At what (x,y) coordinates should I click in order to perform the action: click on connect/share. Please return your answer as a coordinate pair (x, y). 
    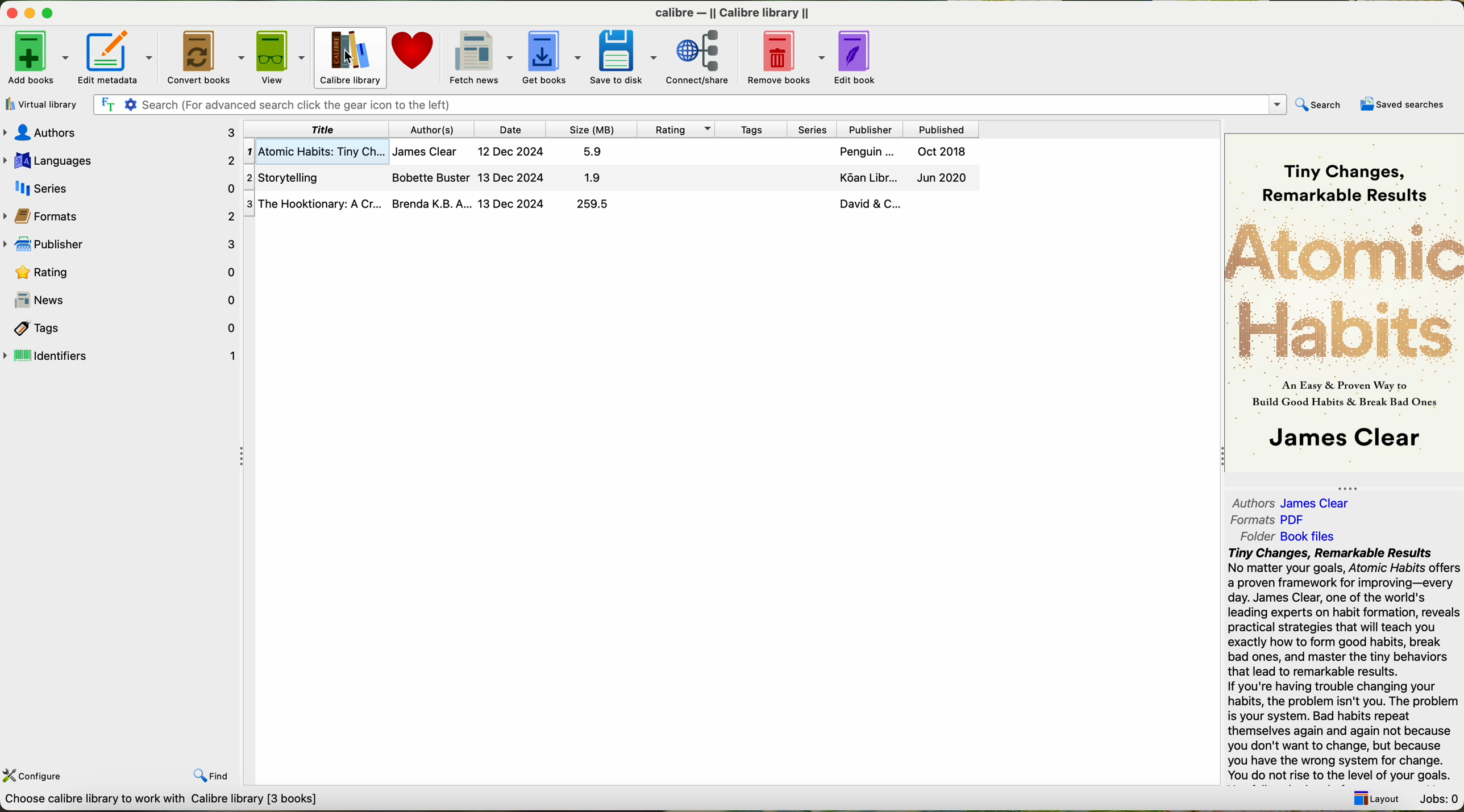
    Looking at the image, I should click on (705, 56).